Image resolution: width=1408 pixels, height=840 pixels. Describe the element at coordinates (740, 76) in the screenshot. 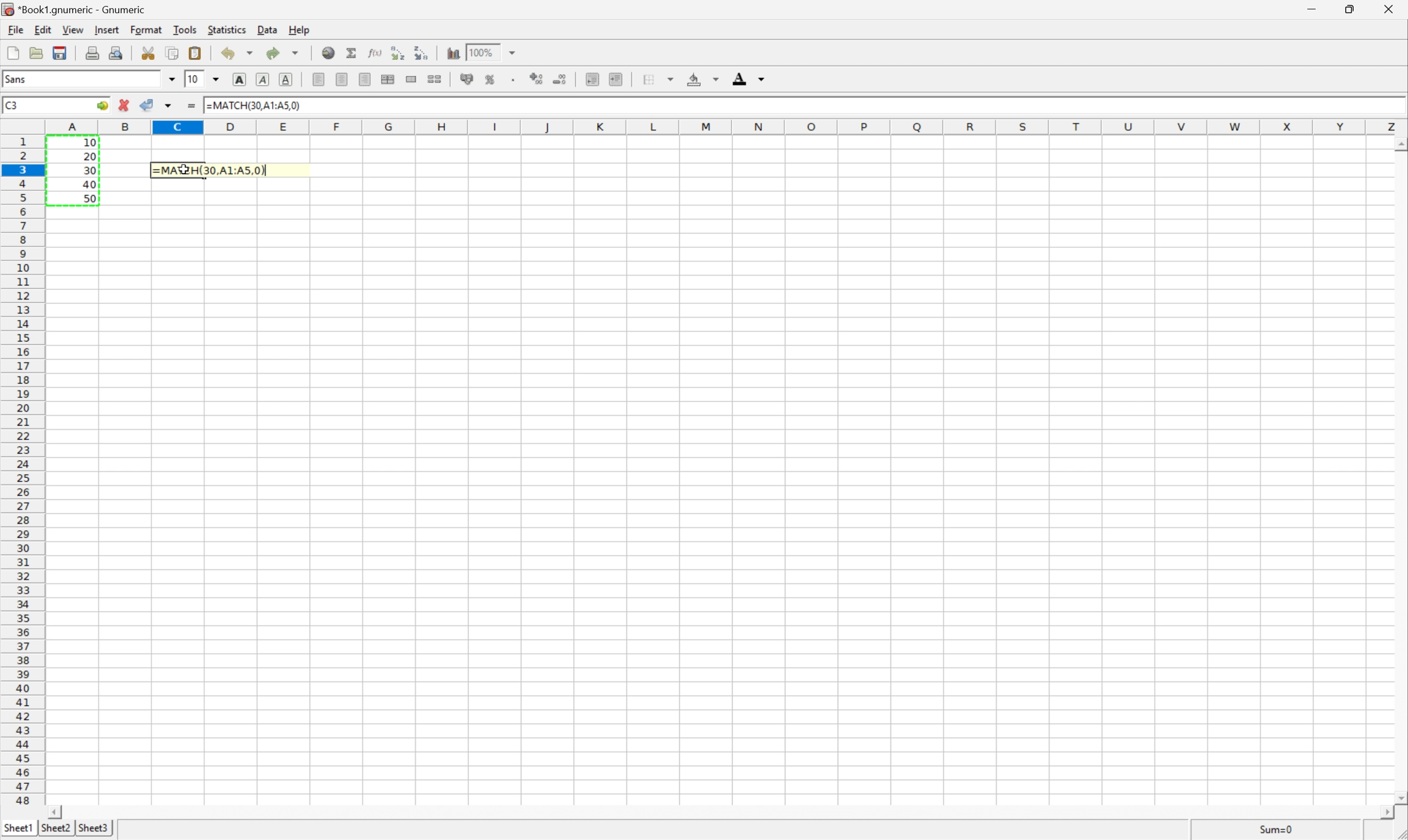

I see `Font color` at that location.